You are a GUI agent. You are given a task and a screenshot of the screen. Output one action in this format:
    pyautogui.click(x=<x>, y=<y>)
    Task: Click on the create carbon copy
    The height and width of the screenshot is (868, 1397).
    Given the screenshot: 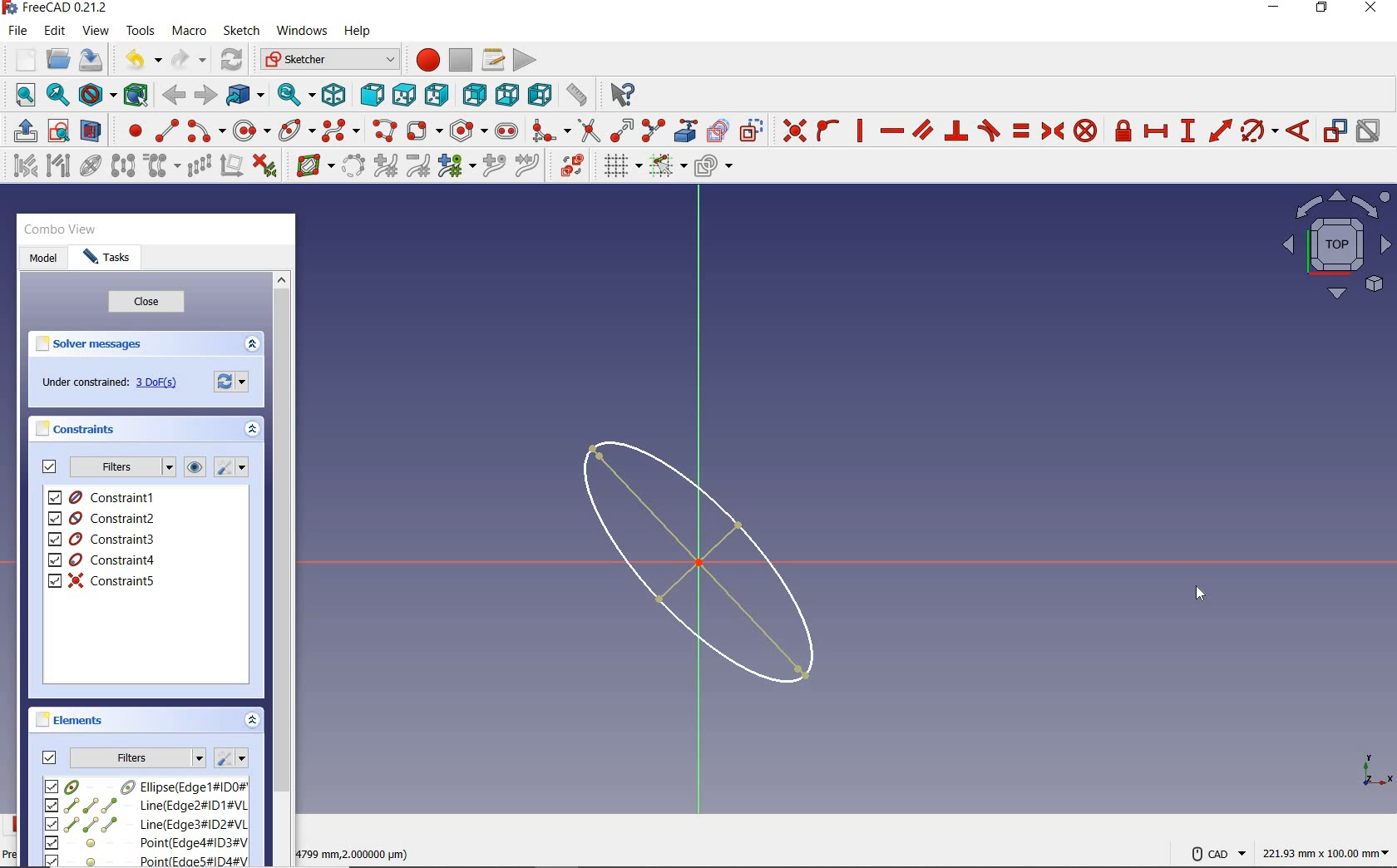 What is the action you would take?
    pyautogui.click(x=718, y=129)
    